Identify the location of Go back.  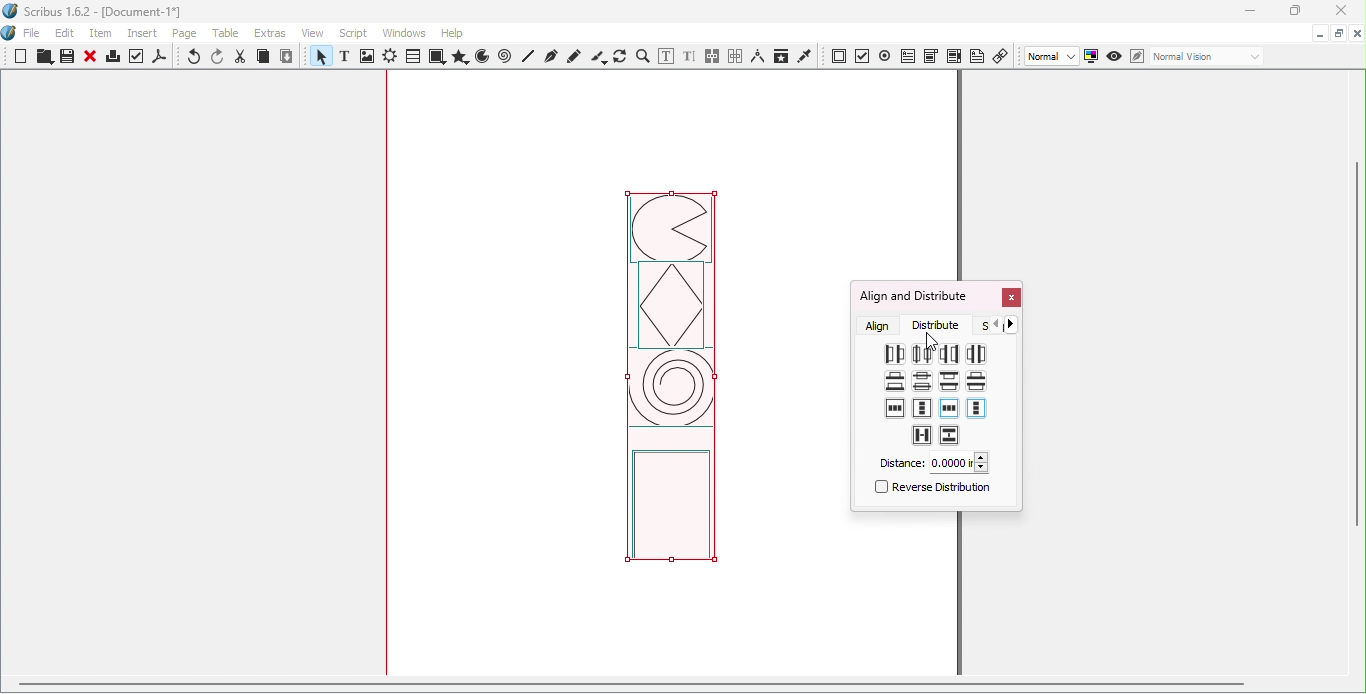
(996, 325).